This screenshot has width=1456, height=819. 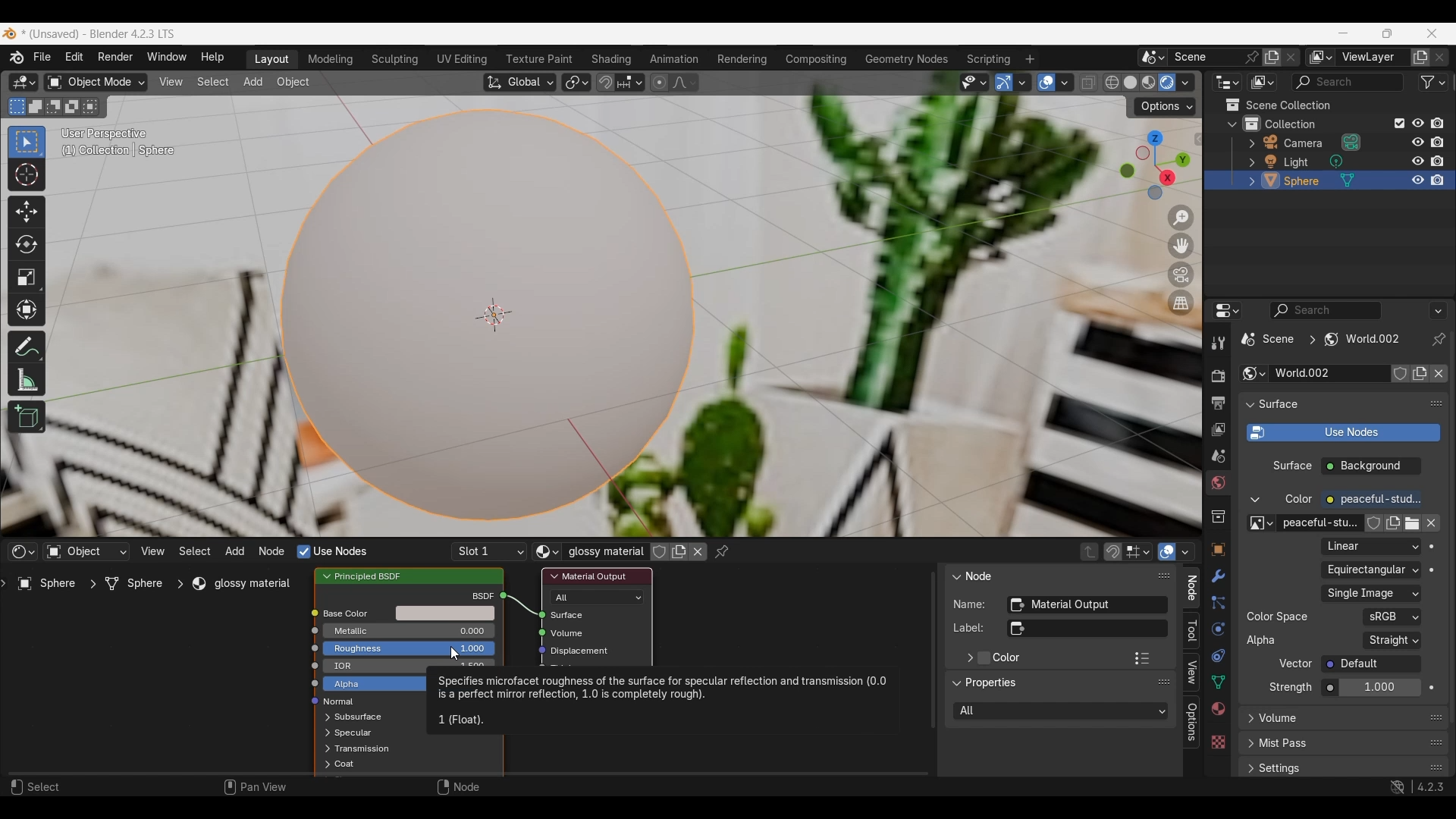 I want to click on Vector, so click(x=1296, y=664).